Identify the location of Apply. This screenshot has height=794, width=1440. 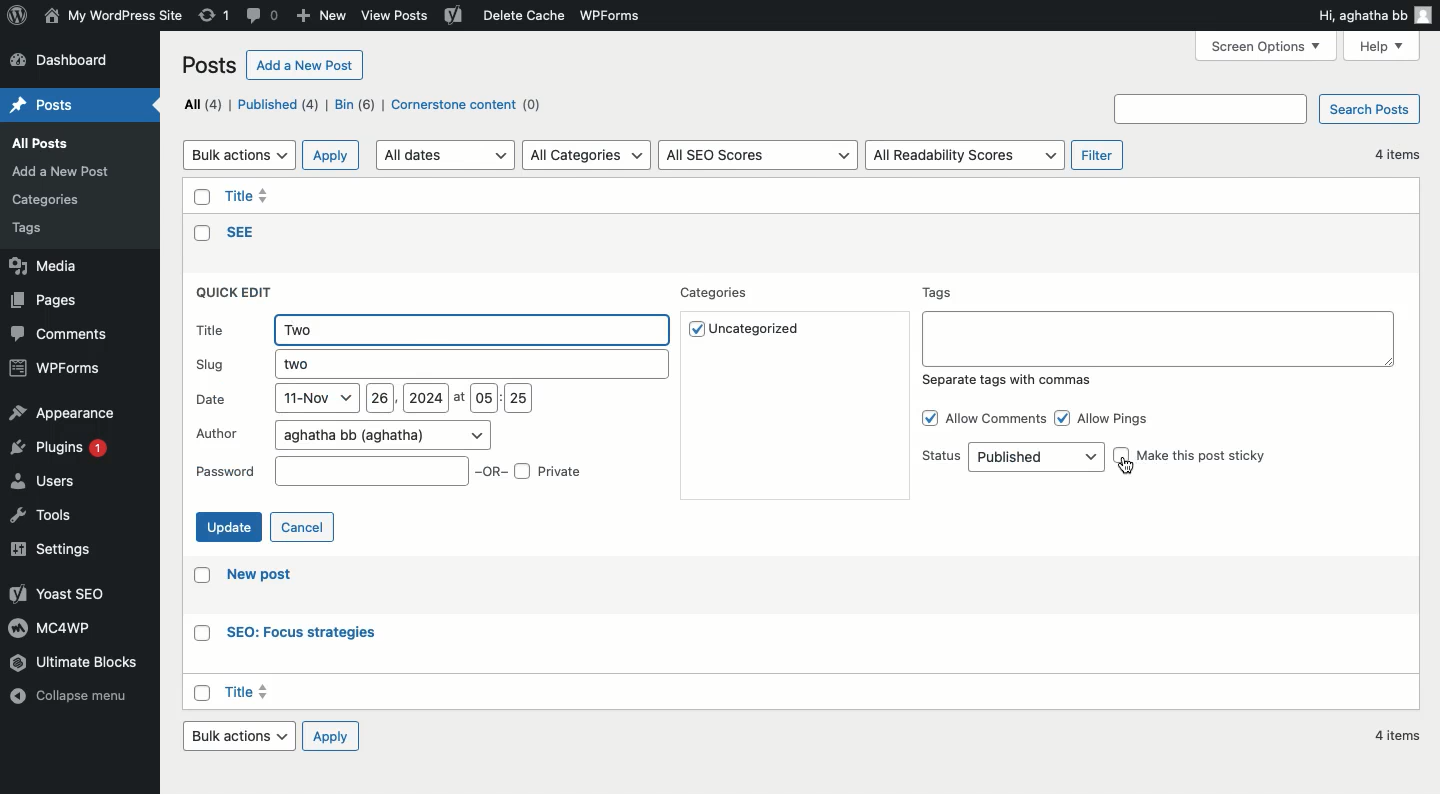
(331, 154).